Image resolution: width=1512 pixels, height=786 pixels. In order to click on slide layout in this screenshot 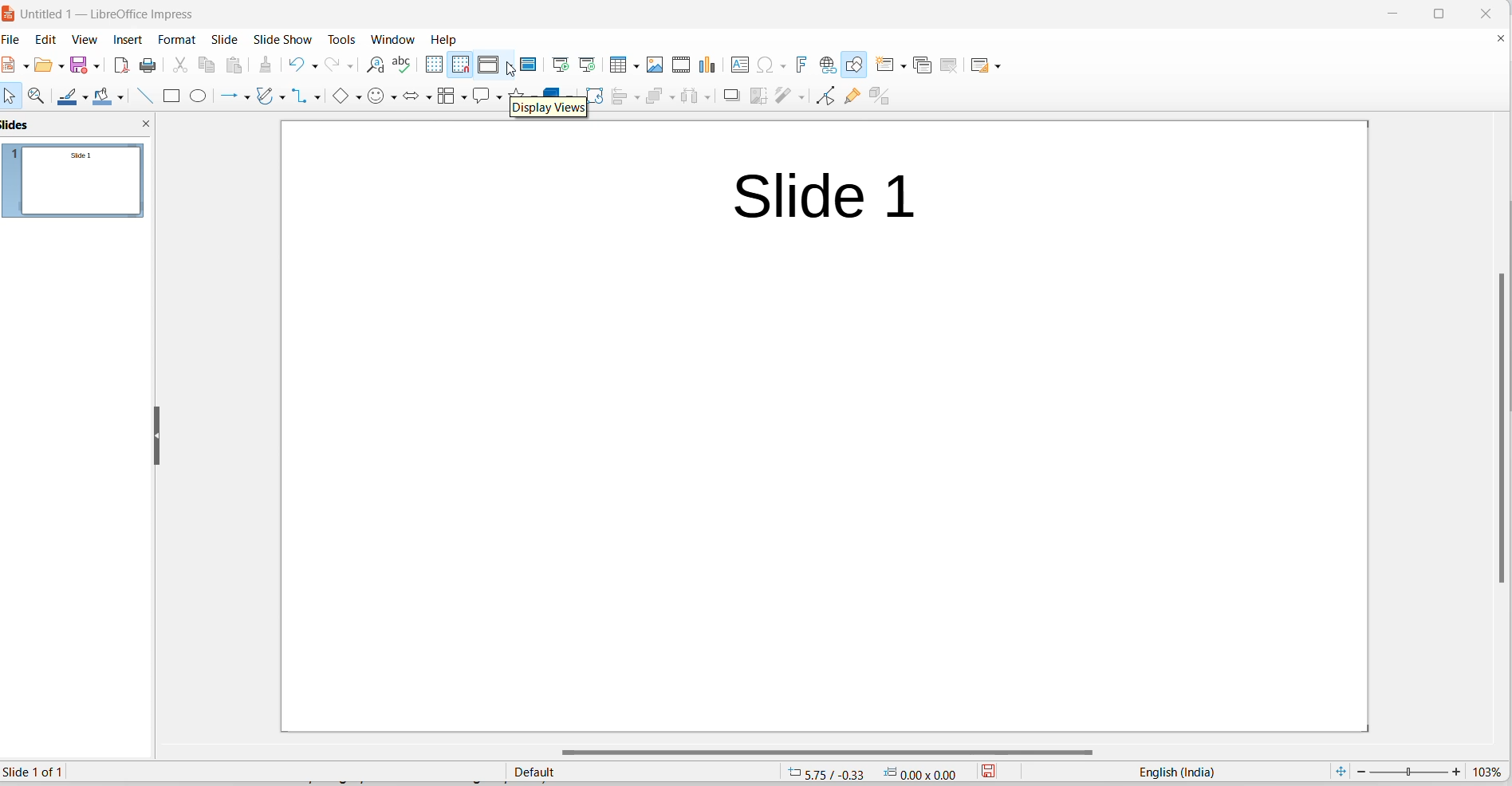, I will do `click(982, 64)`.